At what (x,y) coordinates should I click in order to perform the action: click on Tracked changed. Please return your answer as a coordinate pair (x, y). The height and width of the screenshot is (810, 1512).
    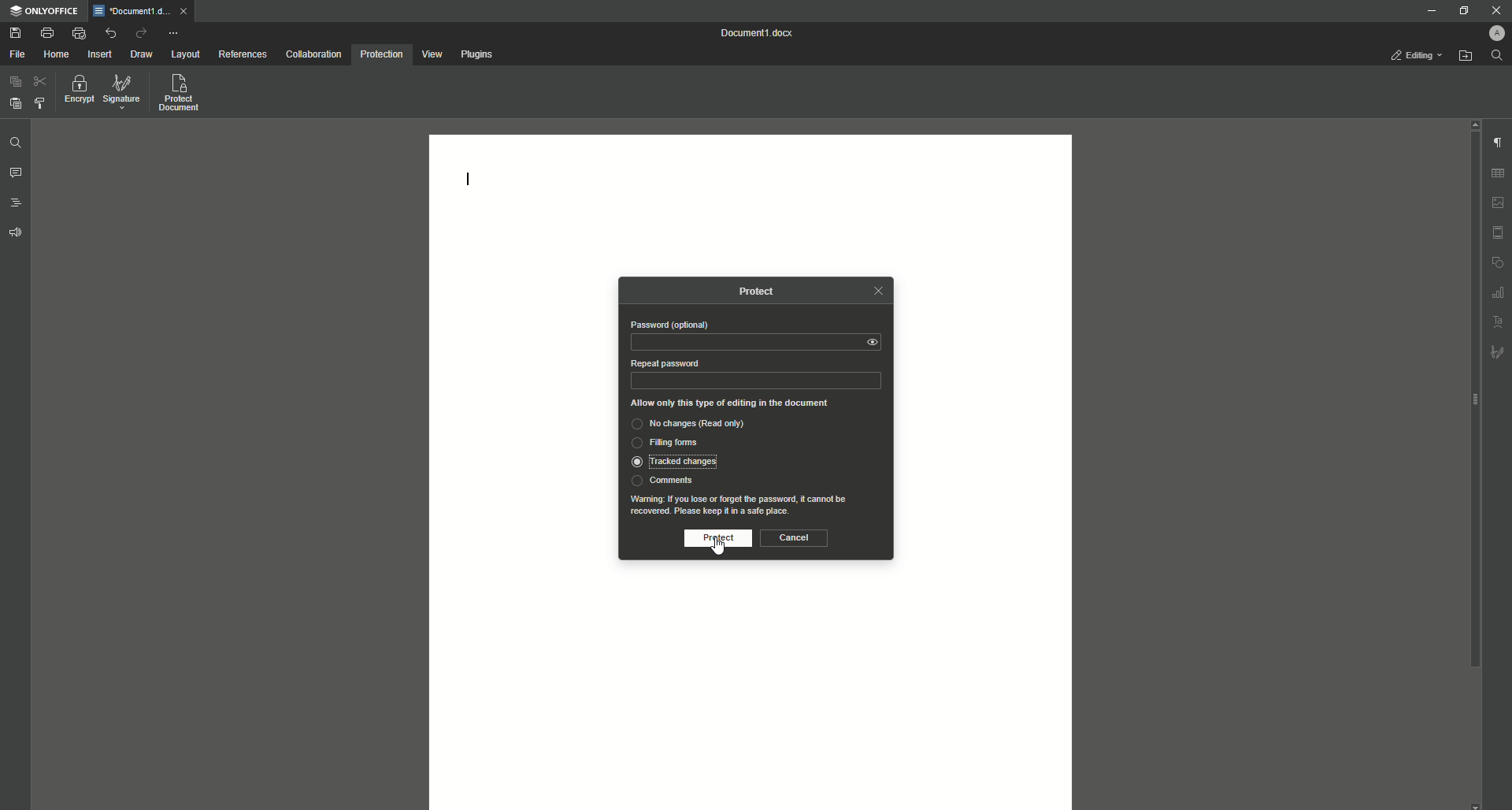
    Looking at the image, I should click on (685, 461).